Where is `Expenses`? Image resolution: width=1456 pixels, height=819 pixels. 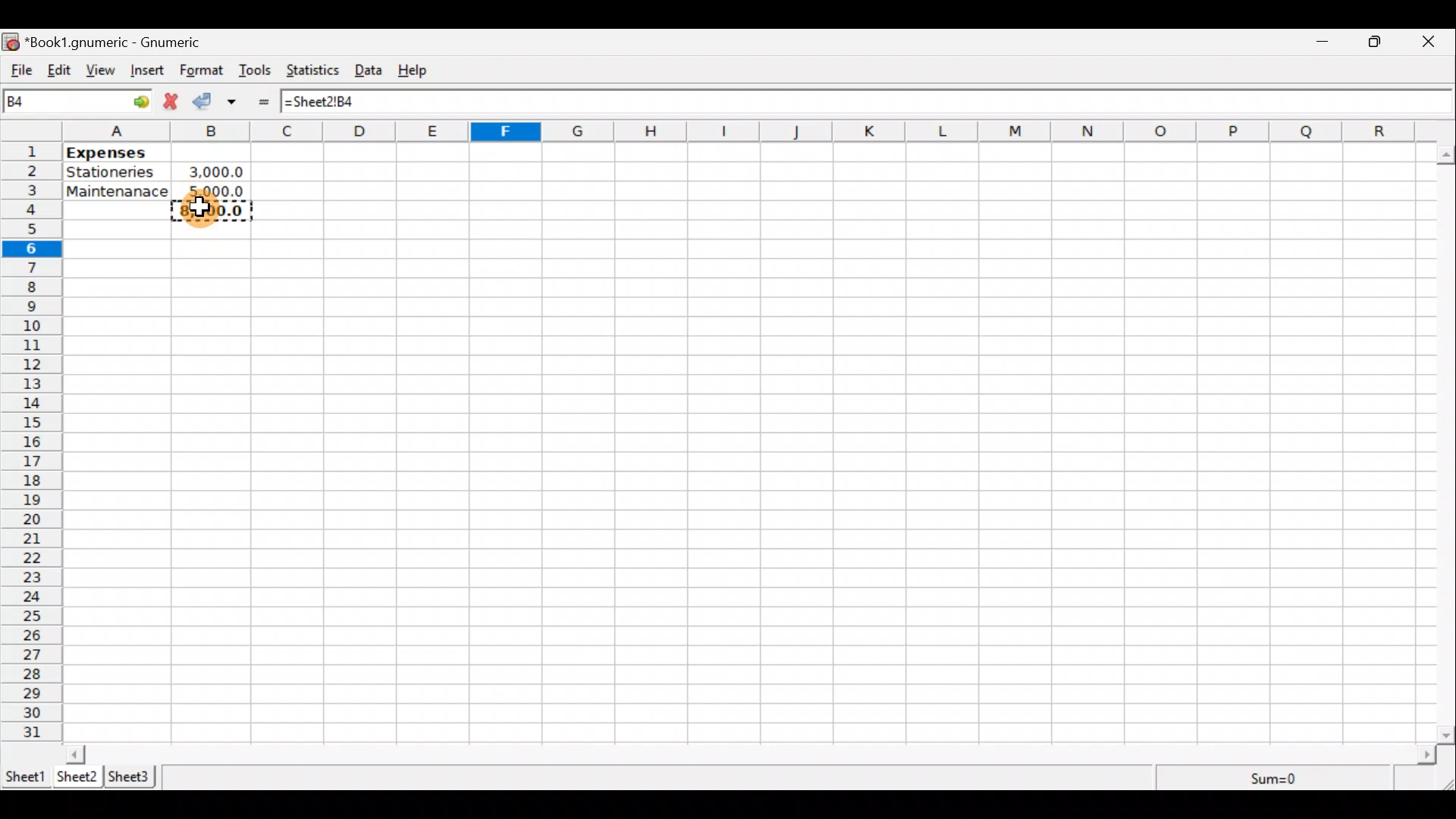 Expenses is located at coordinates (110, 153).